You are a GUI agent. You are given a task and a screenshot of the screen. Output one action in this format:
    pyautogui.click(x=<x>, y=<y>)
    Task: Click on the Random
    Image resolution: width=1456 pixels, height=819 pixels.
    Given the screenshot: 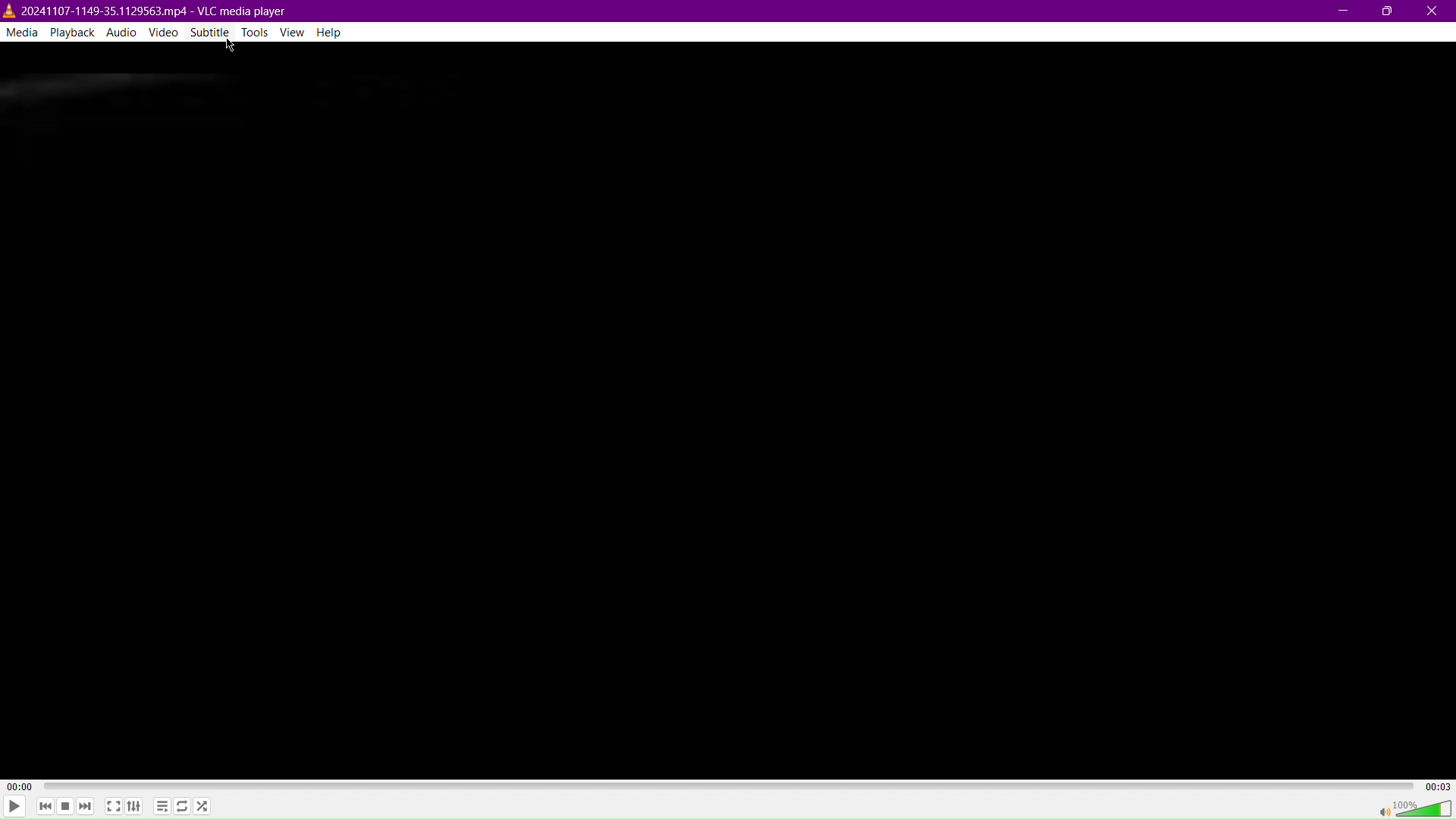 What is the action you would take?
    pyautogui.click(x=202, y=805)
    